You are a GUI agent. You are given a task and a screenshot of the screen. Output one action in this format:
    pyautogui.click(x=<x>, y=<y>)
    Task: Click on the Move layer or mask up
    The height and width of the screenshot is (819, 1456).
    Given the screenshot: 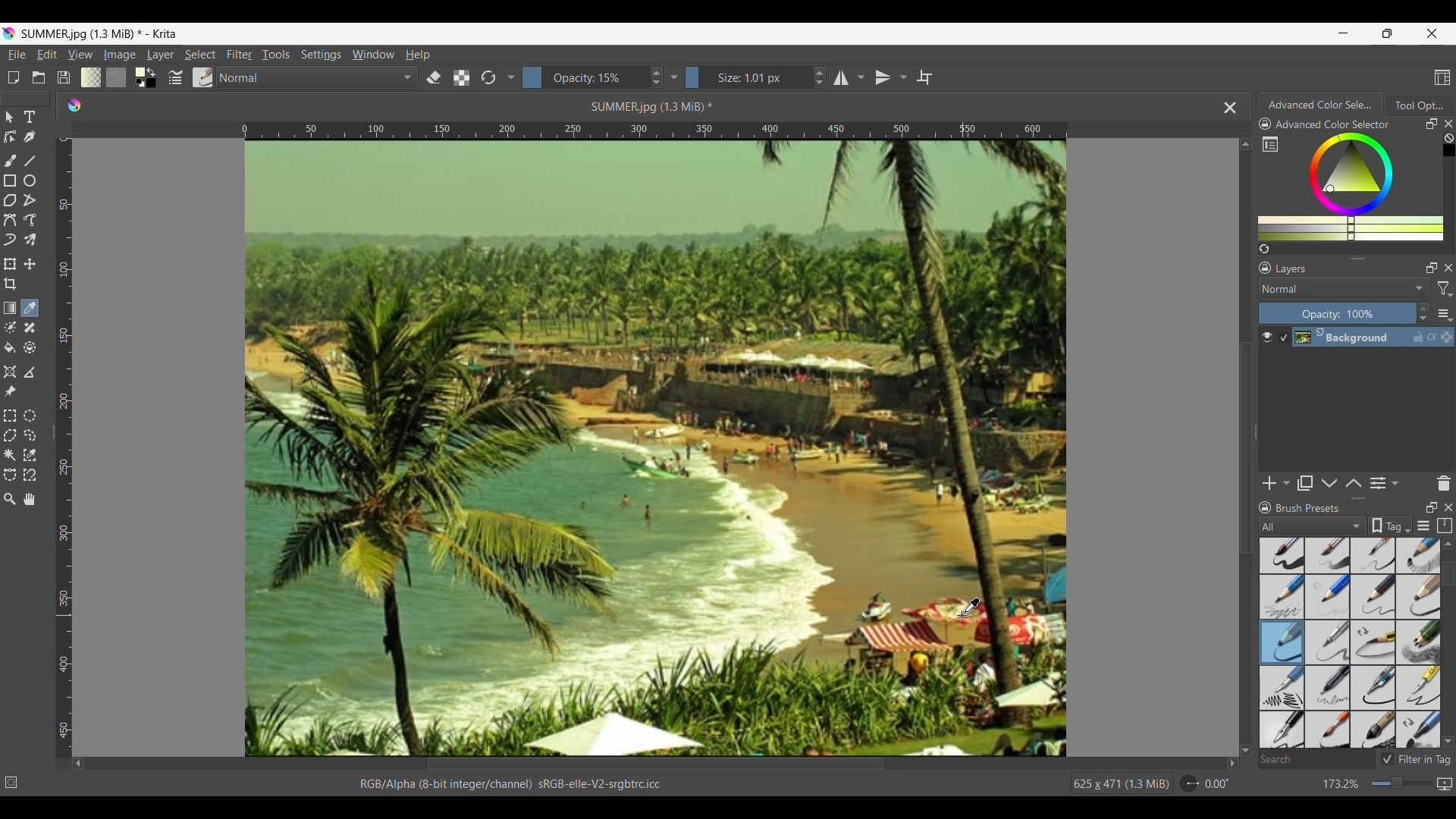 What is the action you would take?
    pyautogui.click(x=1353, y=483)
    